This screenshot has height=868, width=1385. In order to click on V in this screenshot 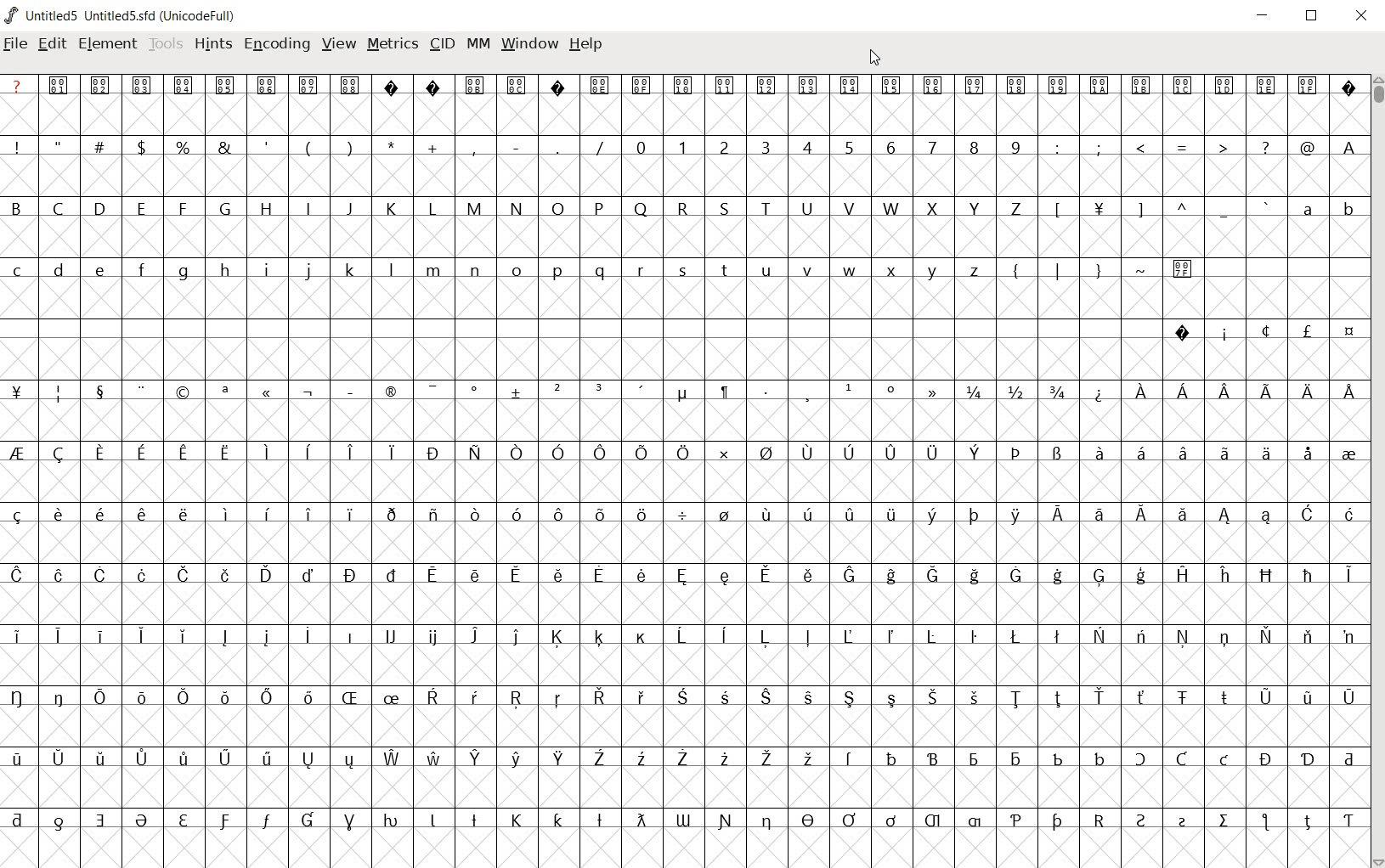, I will do `click(849, 208)`.